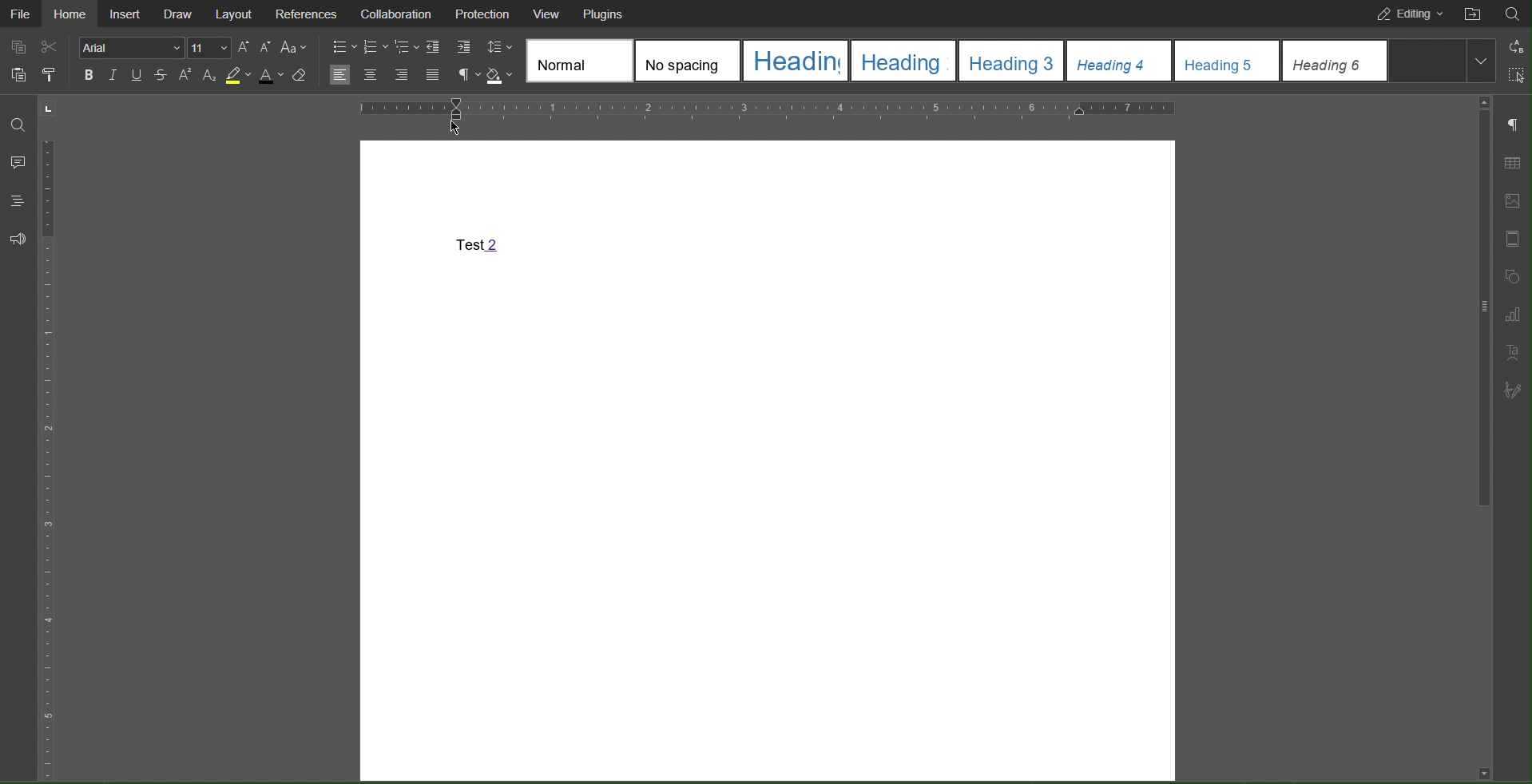  Describe the element at coordinates (130, 46) in the screenshot. I see `Font Setting` at that location.